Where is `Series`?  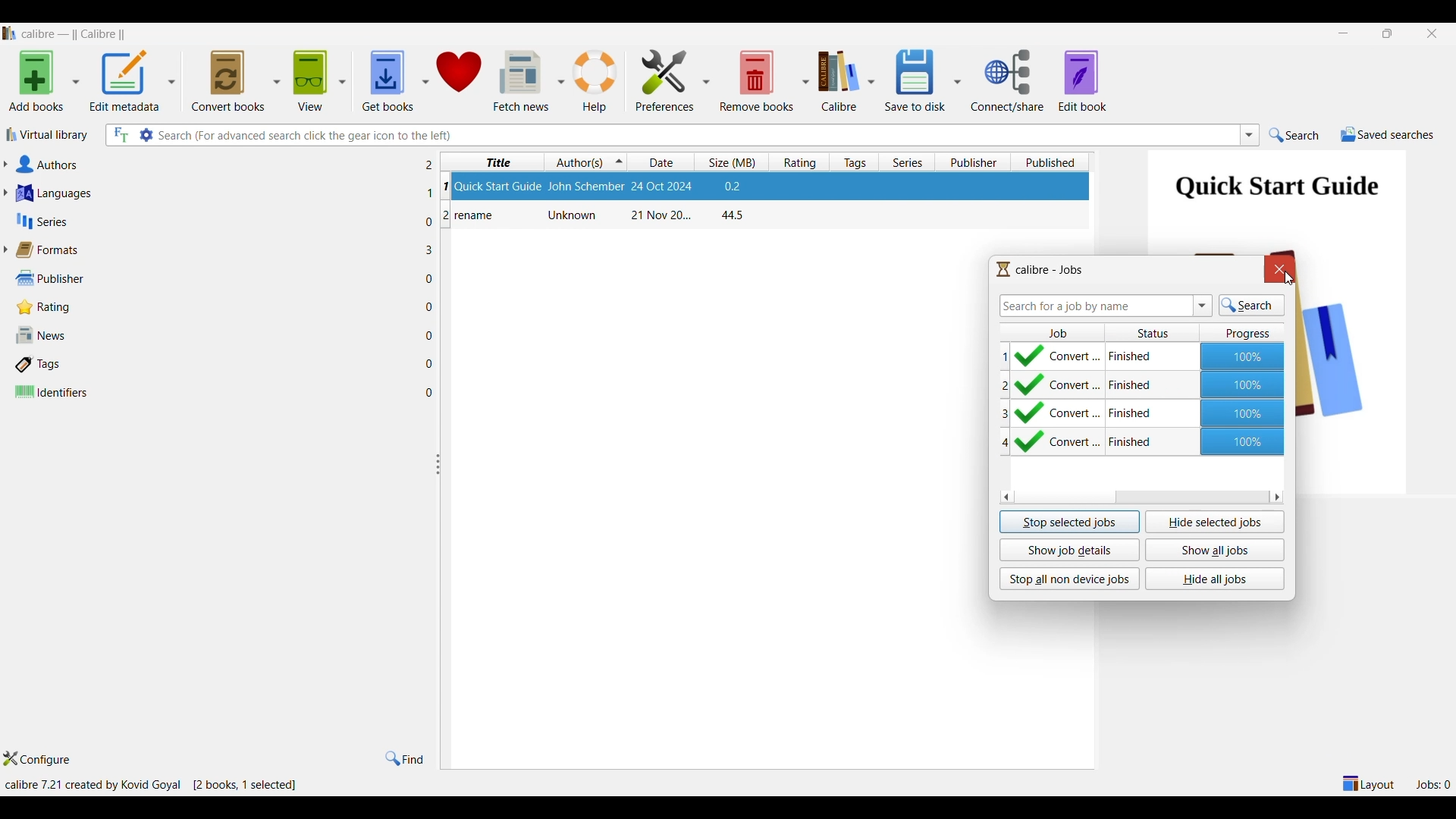 Series is located at coordinates (215, 221).